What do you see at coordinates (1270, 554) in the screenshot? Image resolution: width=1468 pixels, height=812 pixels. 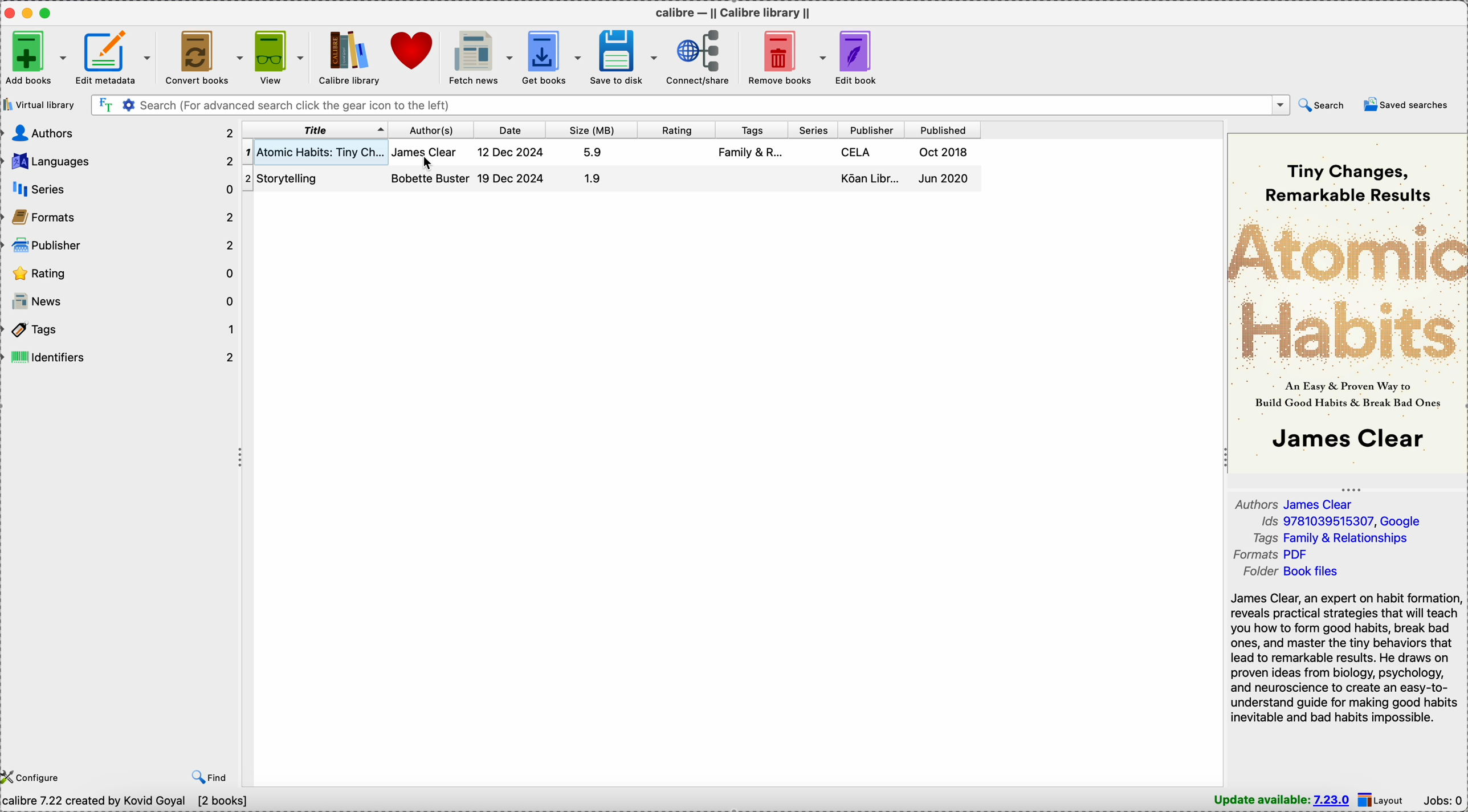 I see `formats PDF` at bounding box center [1270, 554].